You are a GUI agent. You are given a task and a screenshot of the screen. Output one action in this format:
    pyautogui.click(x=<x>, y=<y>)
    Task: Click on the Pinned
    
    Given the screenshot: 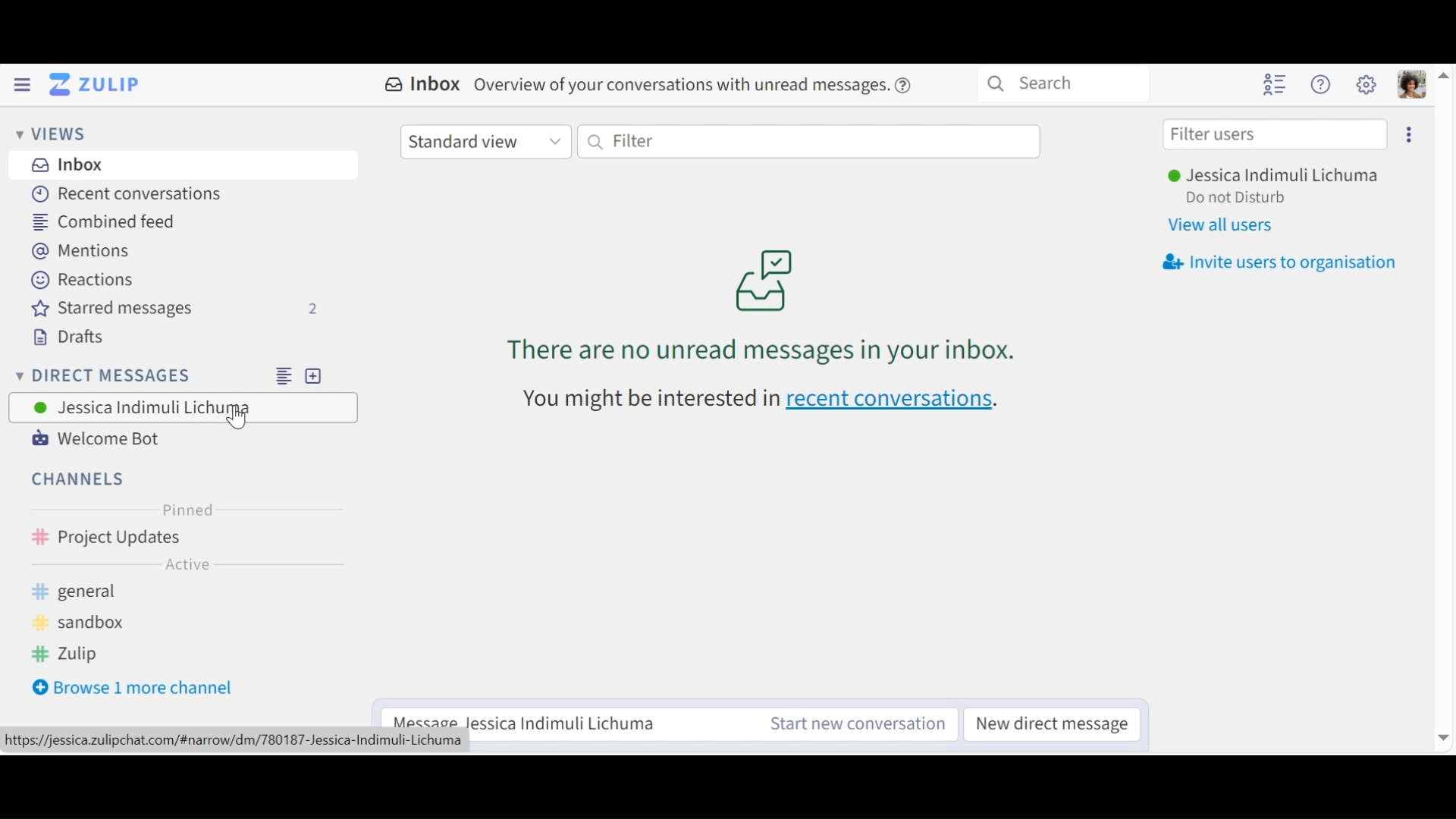 What is the action you would take?
    pyautogui.click(x=185, y=510)
    